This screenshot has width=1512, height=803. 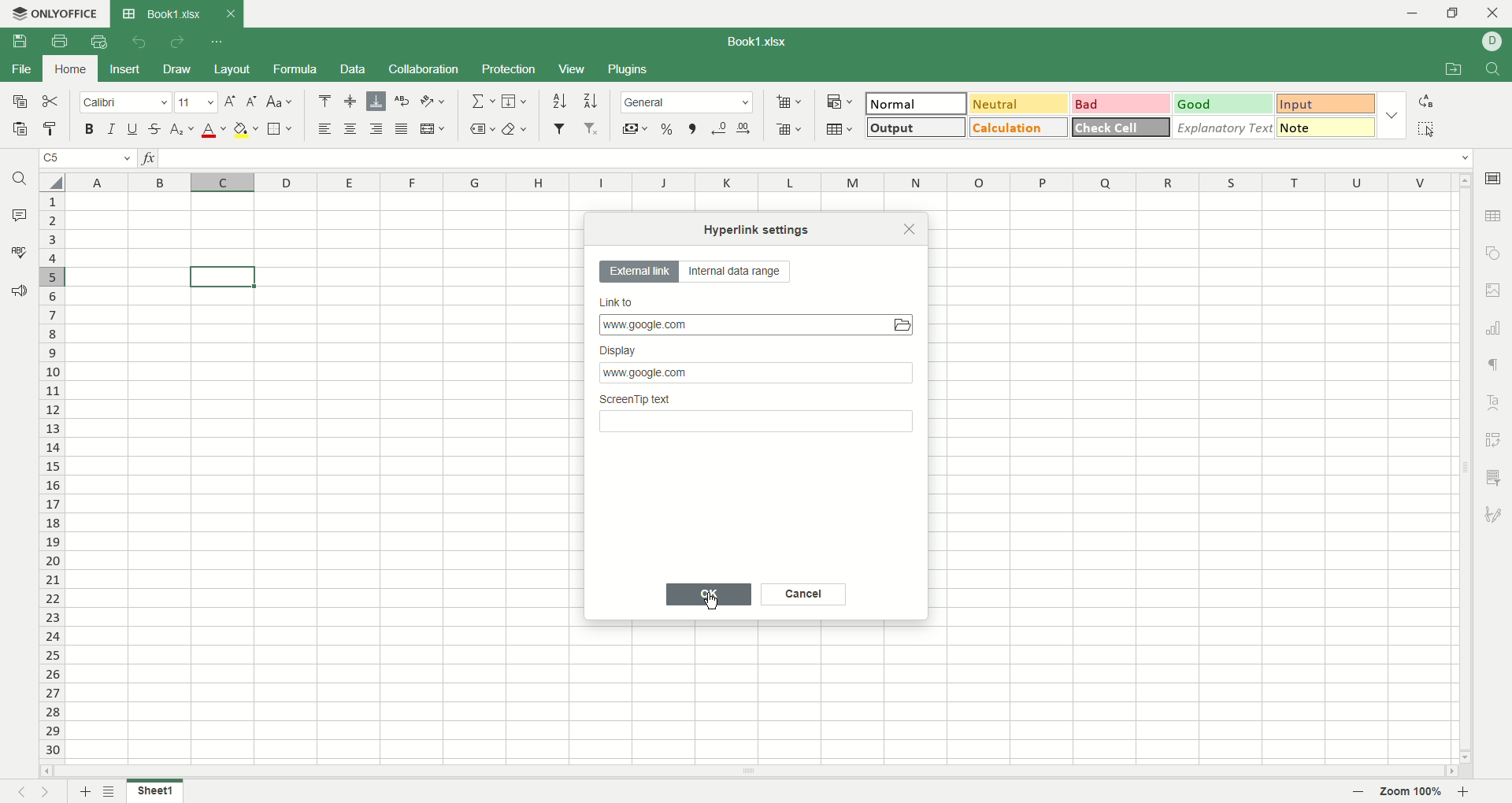 What do you see at coordinates (839, 129) in the screenshot?
I see `format as table template` at bounding box center [839, 129].